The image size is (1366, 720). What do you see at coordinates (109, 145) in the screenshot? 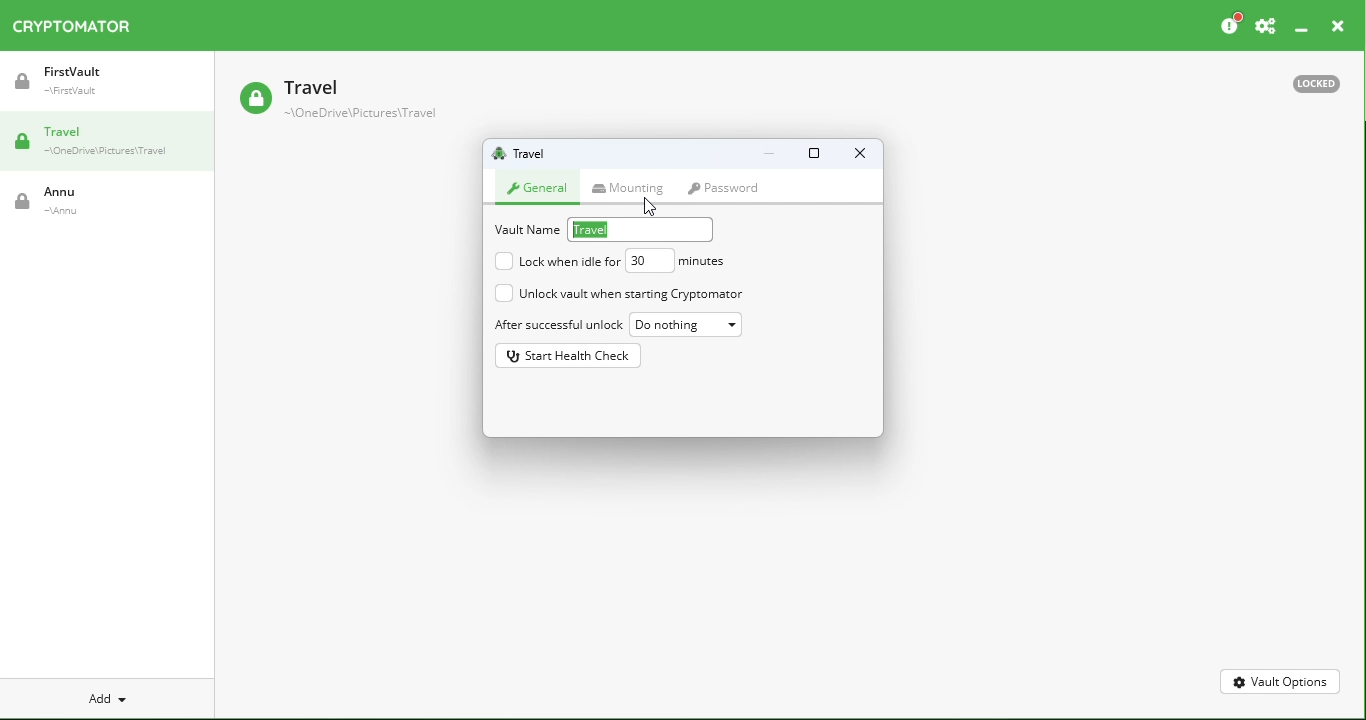
I see `Travel ` at bounding box center [109, 145].